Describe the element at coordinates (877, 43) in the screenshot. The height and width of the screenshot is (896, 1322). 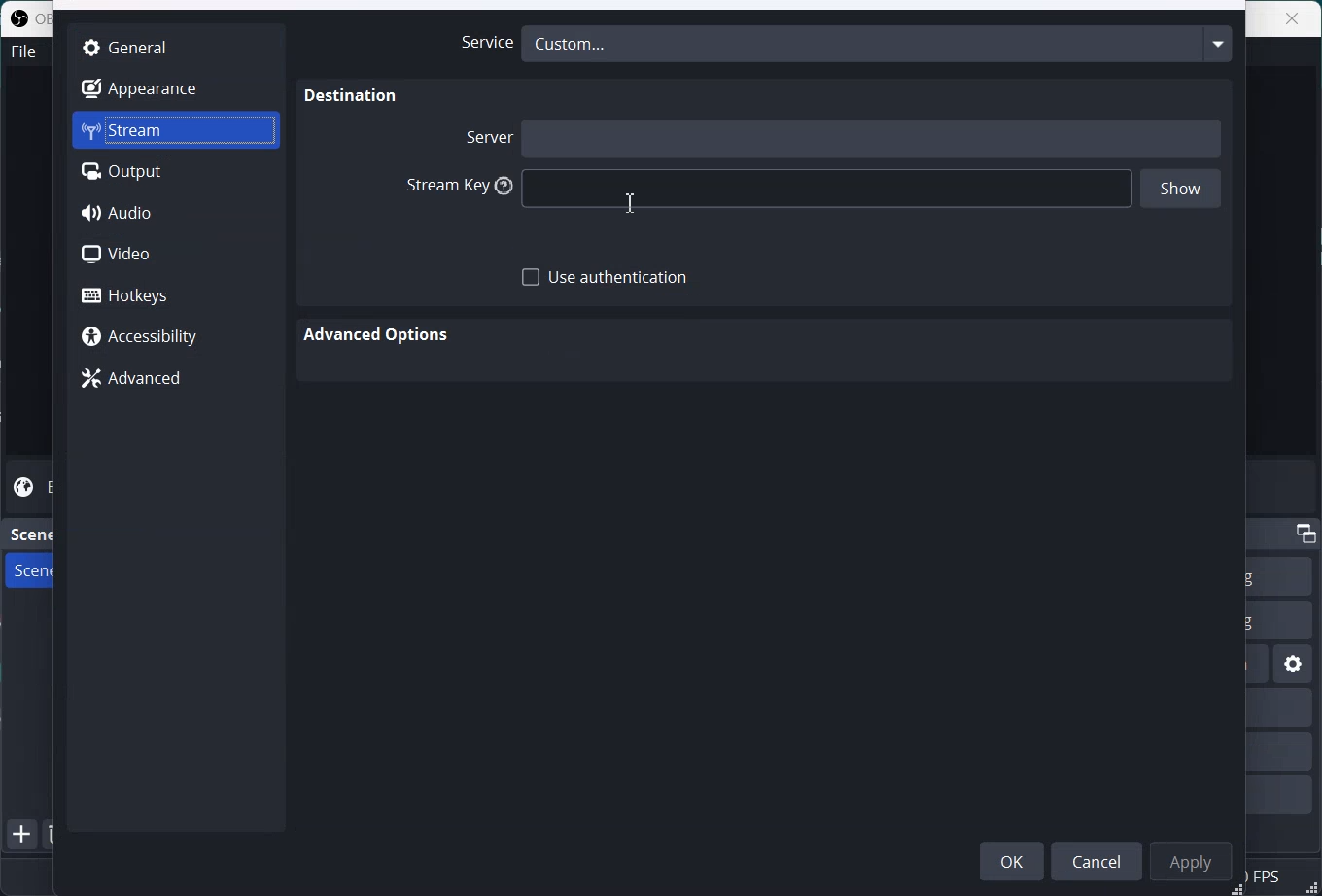
I see `Custom...` at that location.